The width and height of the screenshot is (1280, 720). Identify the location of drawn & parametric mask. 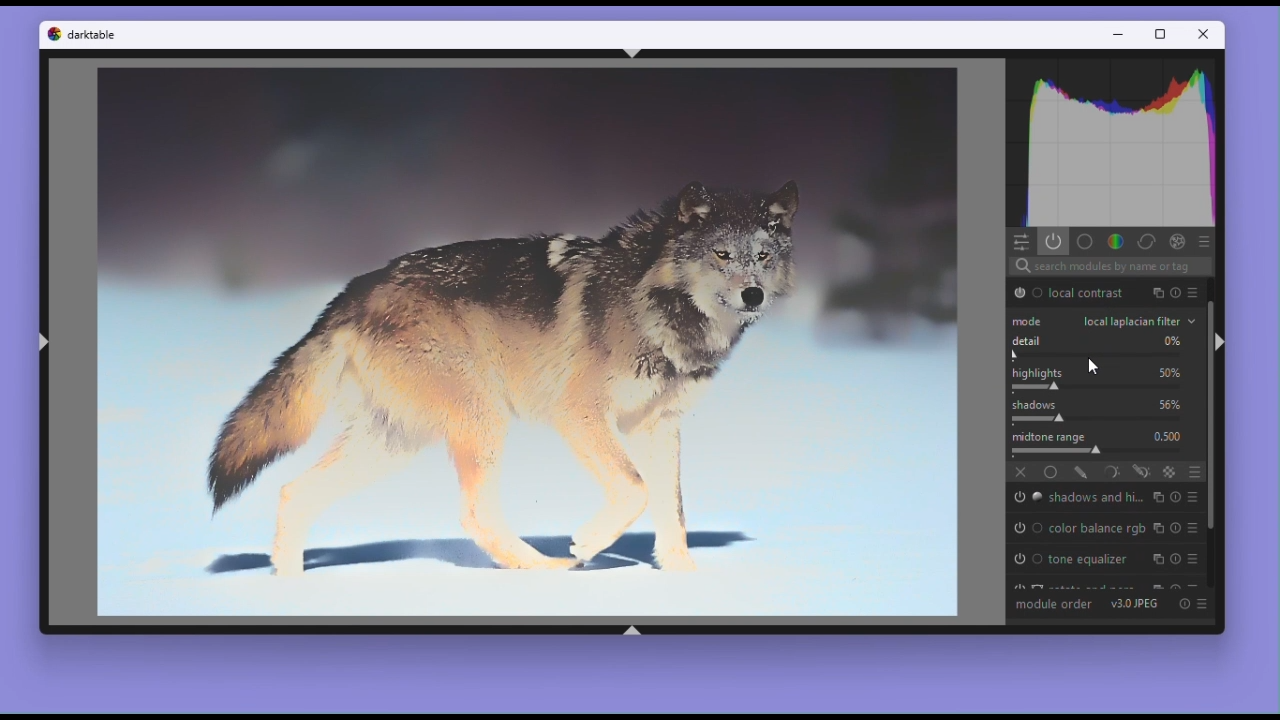
(1139, 474).